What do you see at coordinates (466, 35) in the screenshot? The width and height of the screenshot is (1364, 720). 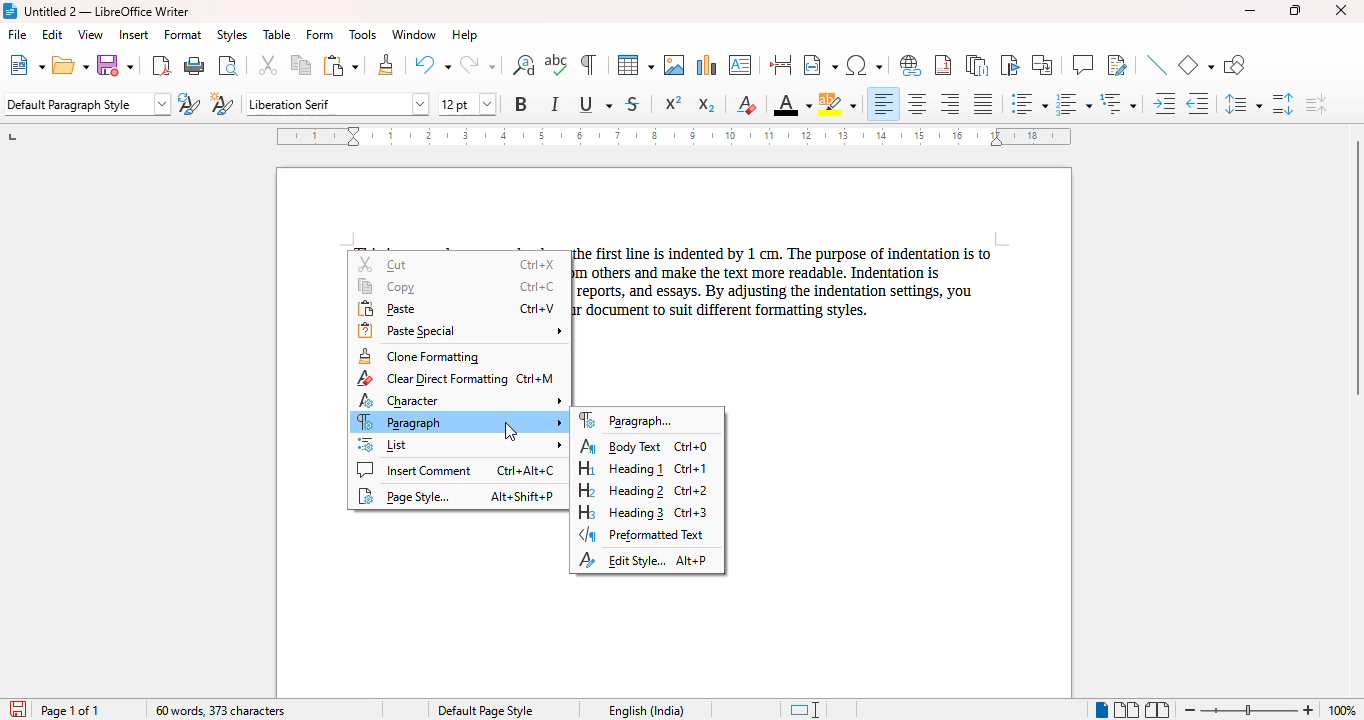 I see `help` at bounding box center [466, 35].